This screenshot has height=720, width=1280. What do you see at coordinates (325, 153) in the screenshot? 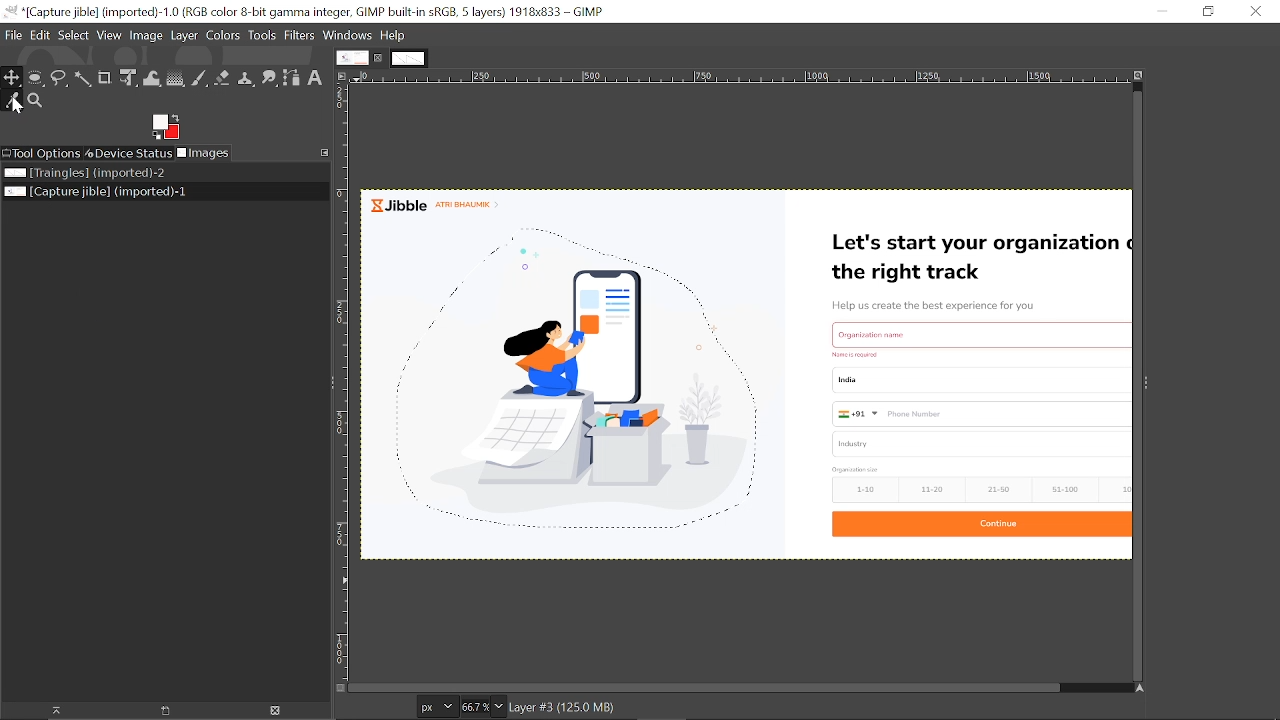
I see `Configure this tab` at bounding box center [325, 153].